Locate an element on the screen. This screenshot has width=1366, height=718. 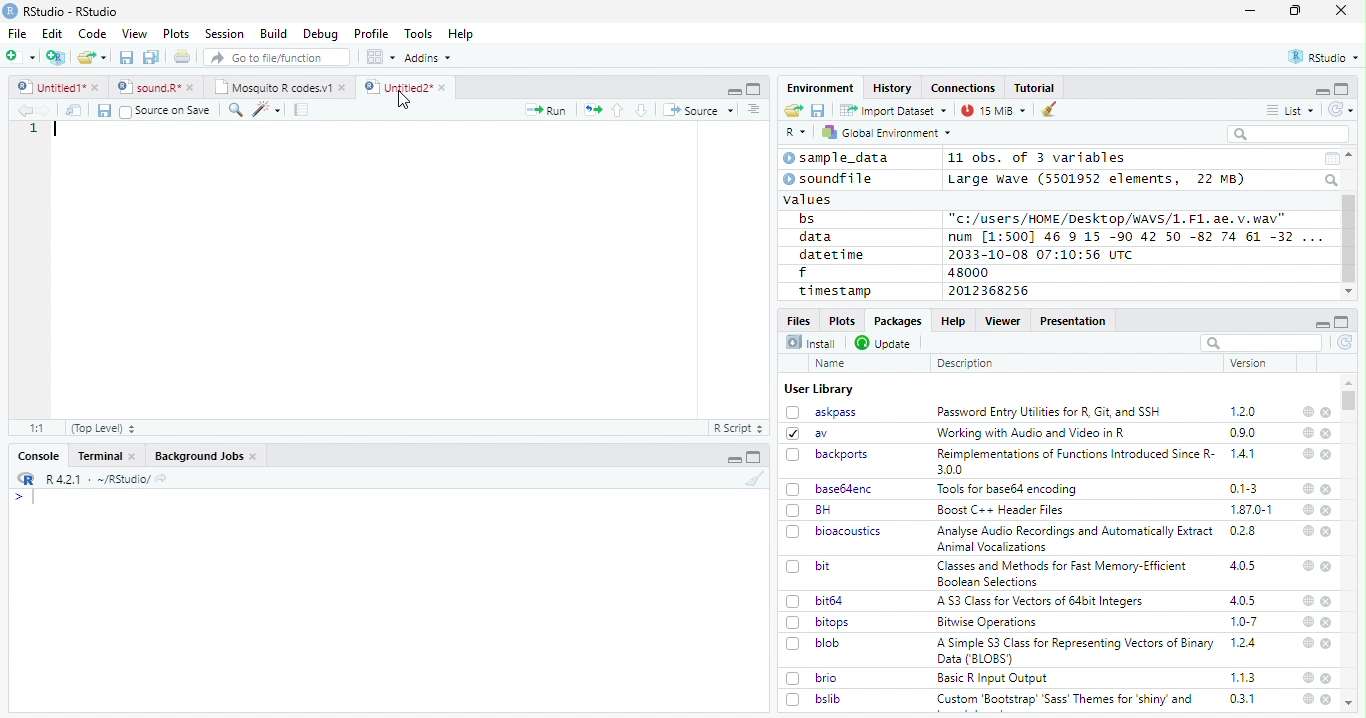
help is located at coordinates (1308, 432).